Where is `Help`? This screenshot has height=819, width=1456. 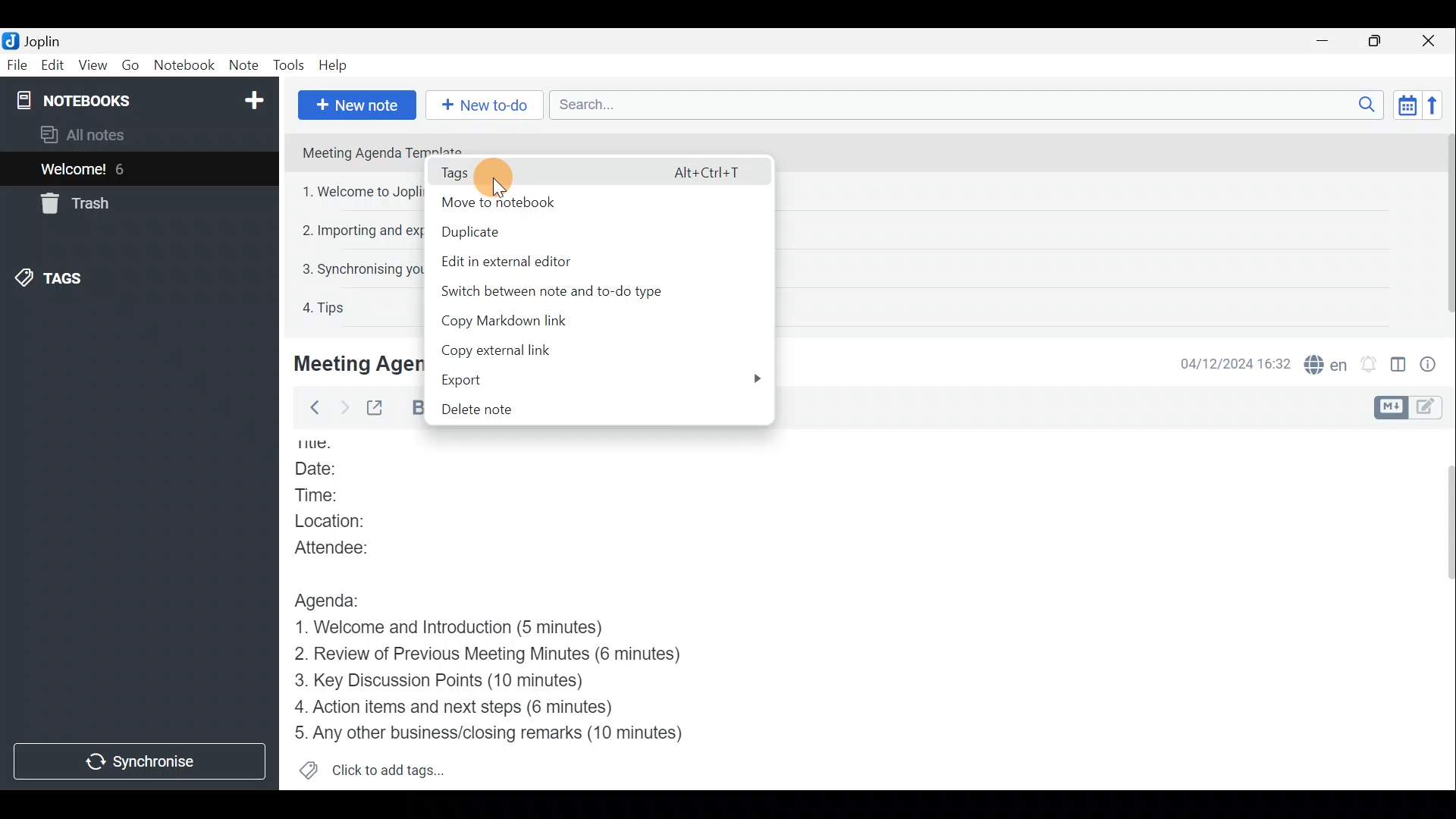
Help is located at coordinates (336, 65).